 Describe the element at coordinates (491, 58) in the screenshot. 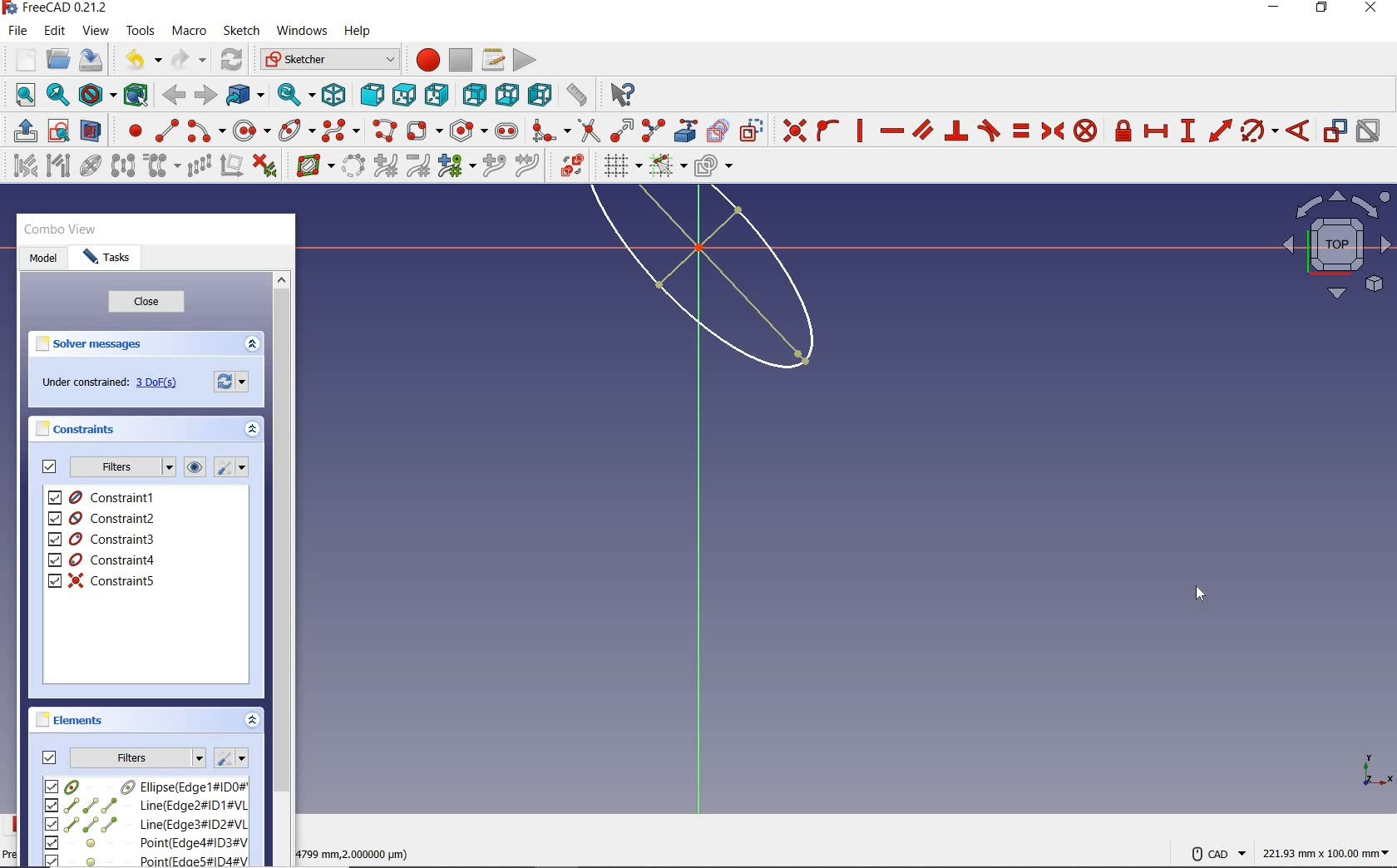

I see `macros` at that location.